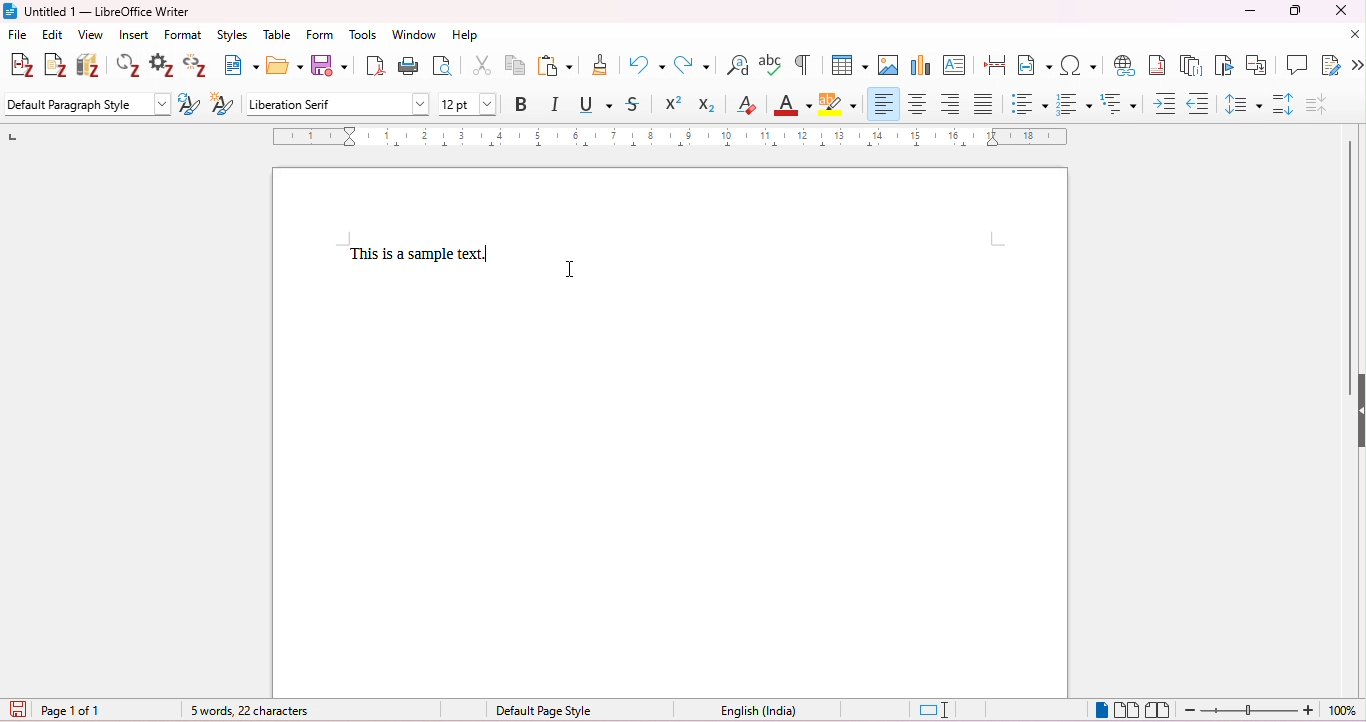  What do you see at coordinates (18, 710) in the screenshot?
I see `save` at bounding box center [18, 710].